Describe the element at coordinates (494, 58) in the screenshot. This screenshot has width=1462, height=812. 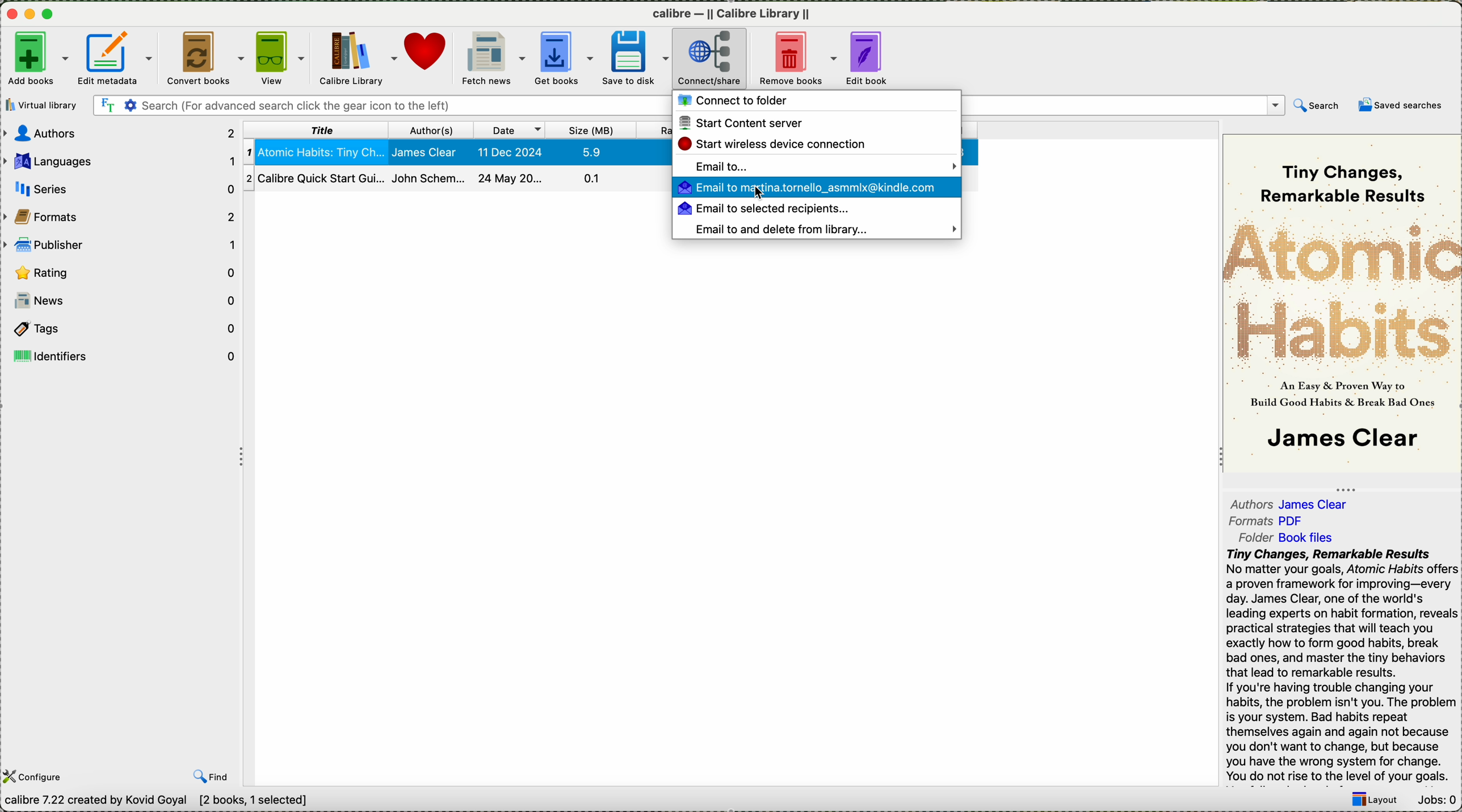
I see `fetch news` at that location.